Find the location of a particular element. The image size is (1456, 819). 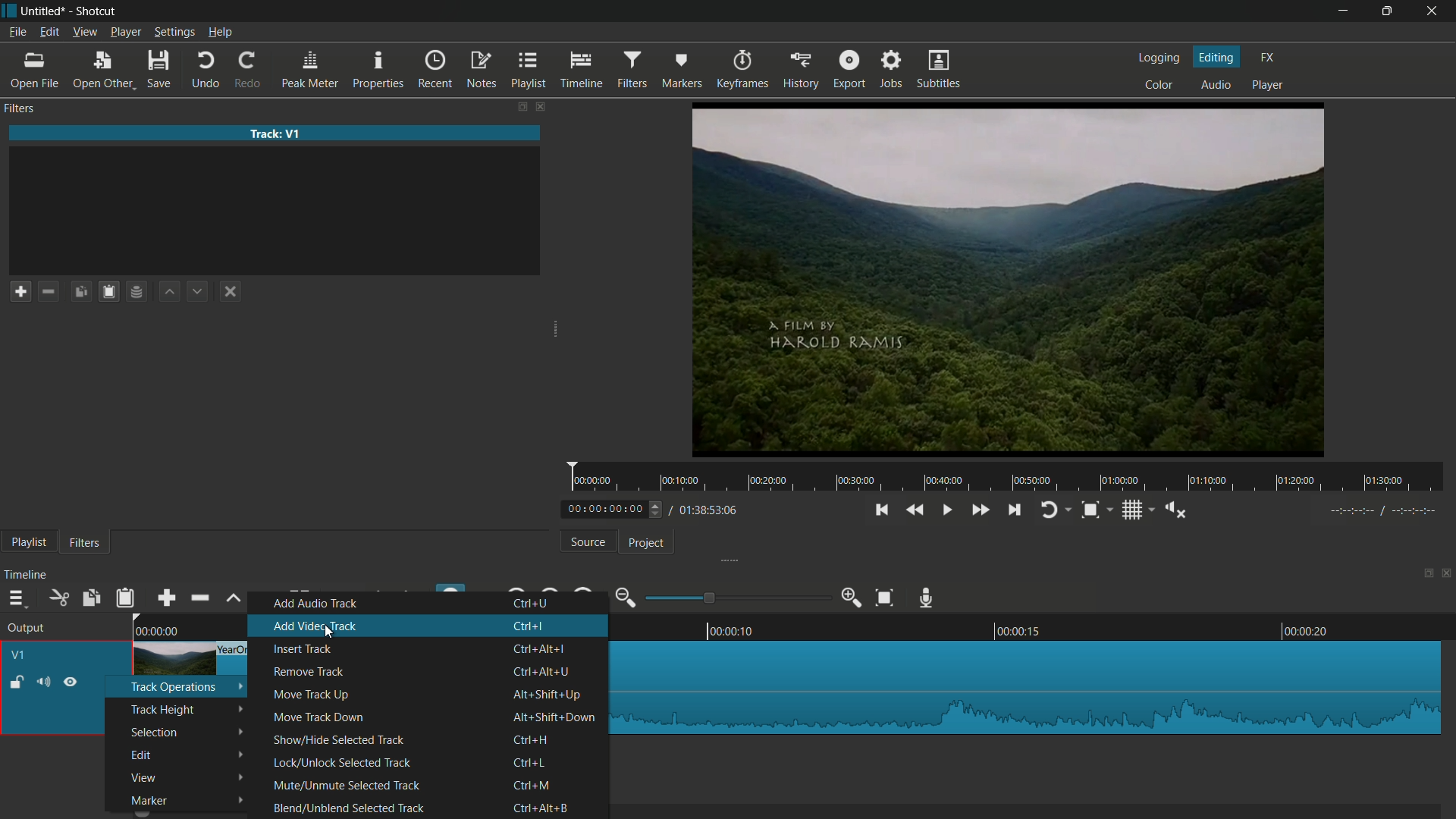

key shortcut is located at coordinates (529, 604).